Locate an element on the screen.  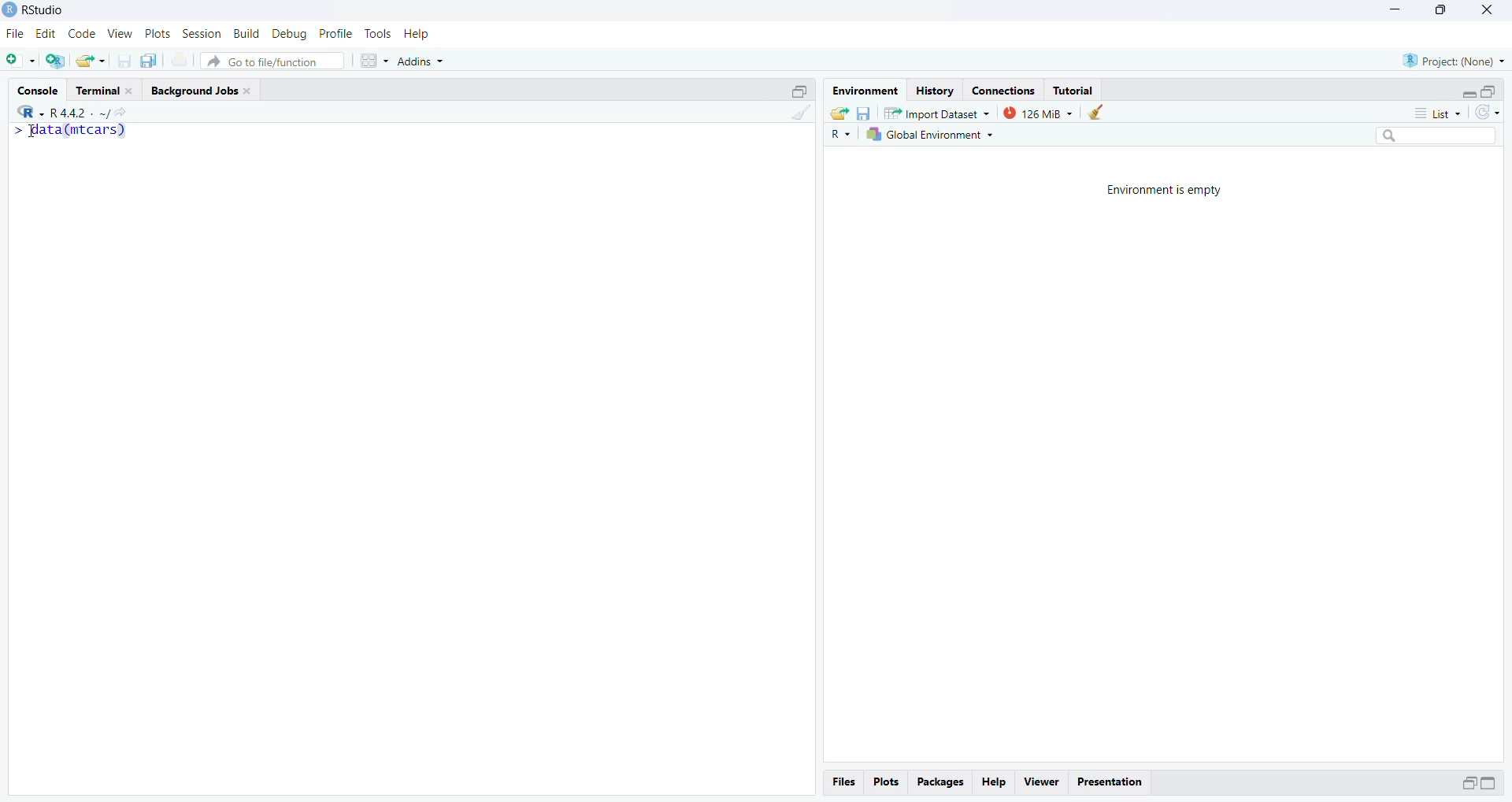
Terminal is located at coordinates (106, 88).